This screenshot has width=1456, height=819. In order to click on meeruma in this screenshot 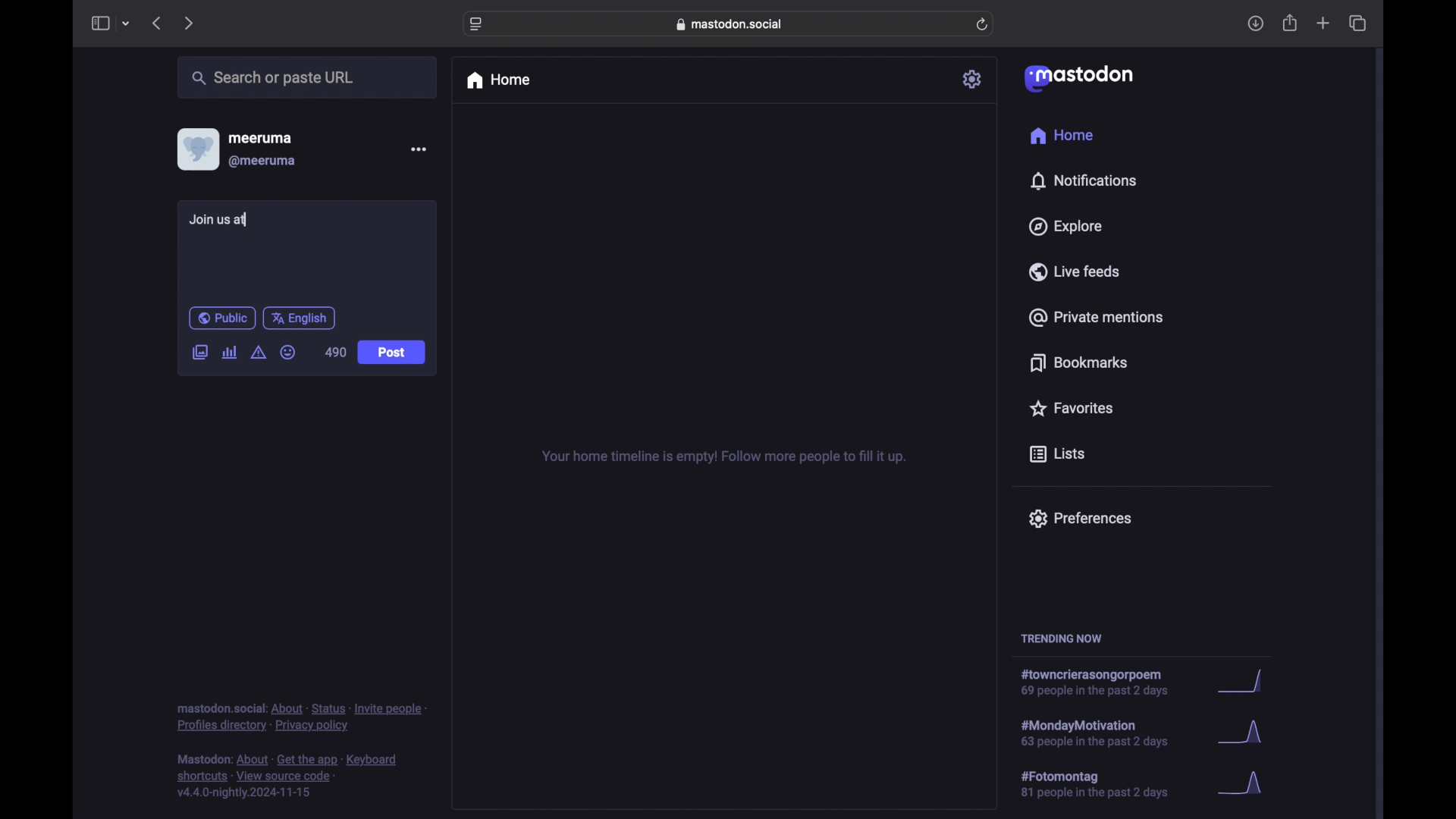, I will do `click(260, 137)`.